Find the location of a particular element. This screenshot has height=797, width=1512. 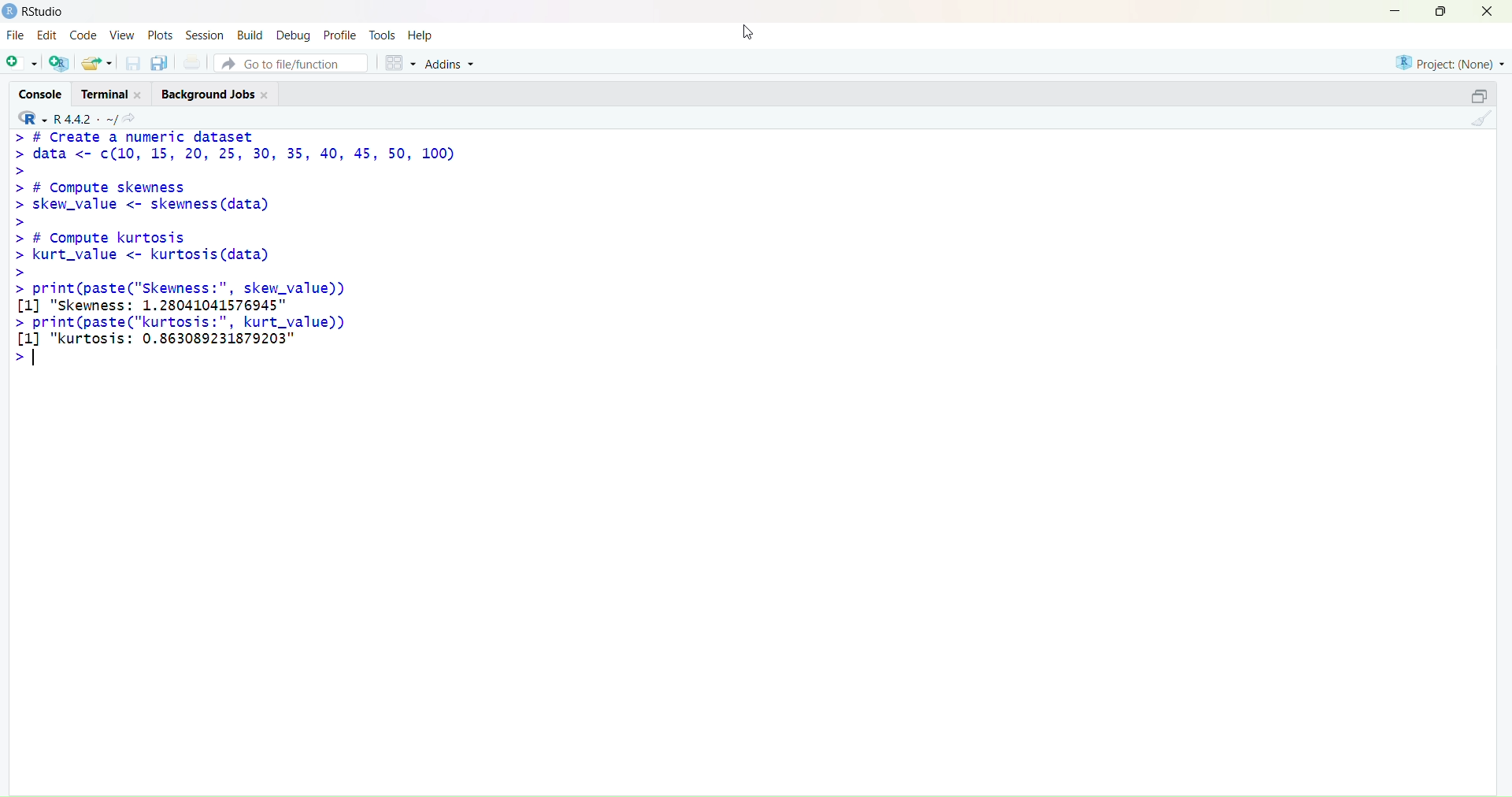

> # L(reatec a numeric dataset

> data <- c(10, 15, 20, 25, 30, 35, 40, 45, 50, 100)
>

> # Compute skewness

> skew_value <- skewness (data)

>

> # Compute kurtosis

> kurt_value <- kurtosis(data)

>

> print(paste("skewness:", skew_value))
[1] "skewness: 1.28041041576945"

> print(paste("kurtosis:", kurt_value))
[1] "kurtosis: 0.863089231879203"

Si is located at coordinates (244, 248).